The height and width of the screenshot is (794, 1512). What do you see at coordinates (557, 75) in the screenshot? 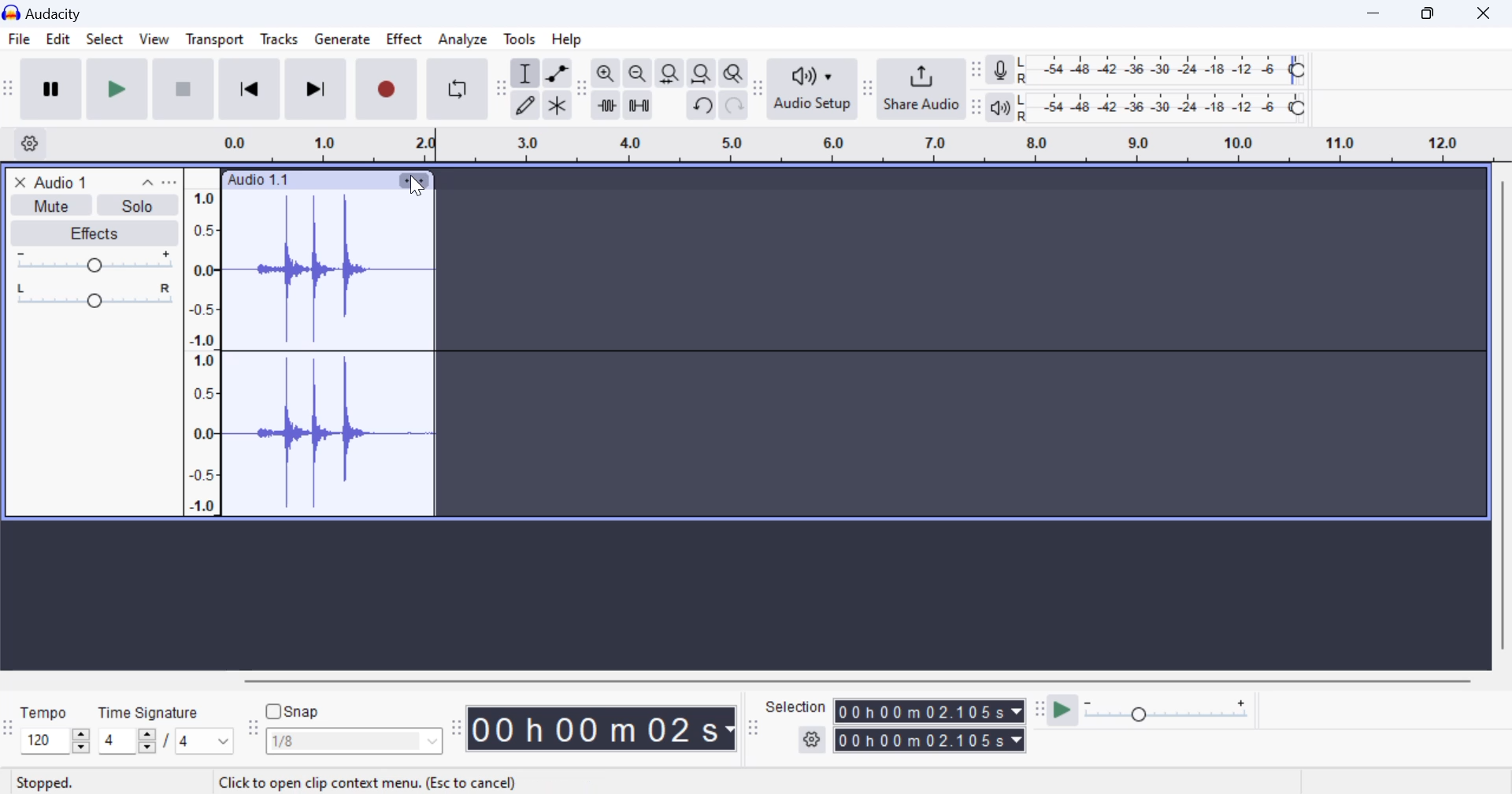
I see `envelop tool` at bounding box center [557, 75].